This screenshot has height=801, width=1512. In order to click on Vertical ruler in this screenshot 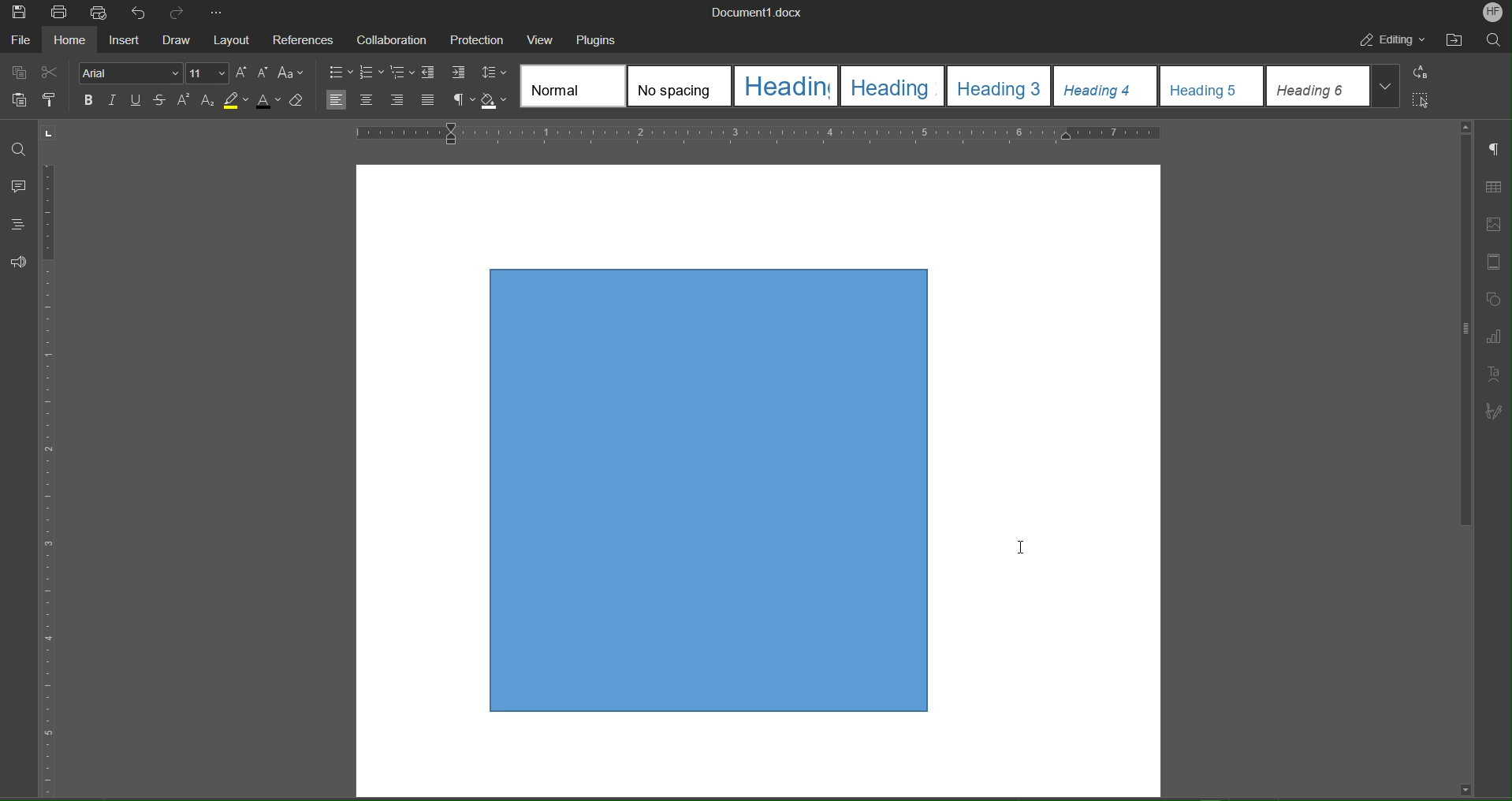, I will do `click(60, 463)`.